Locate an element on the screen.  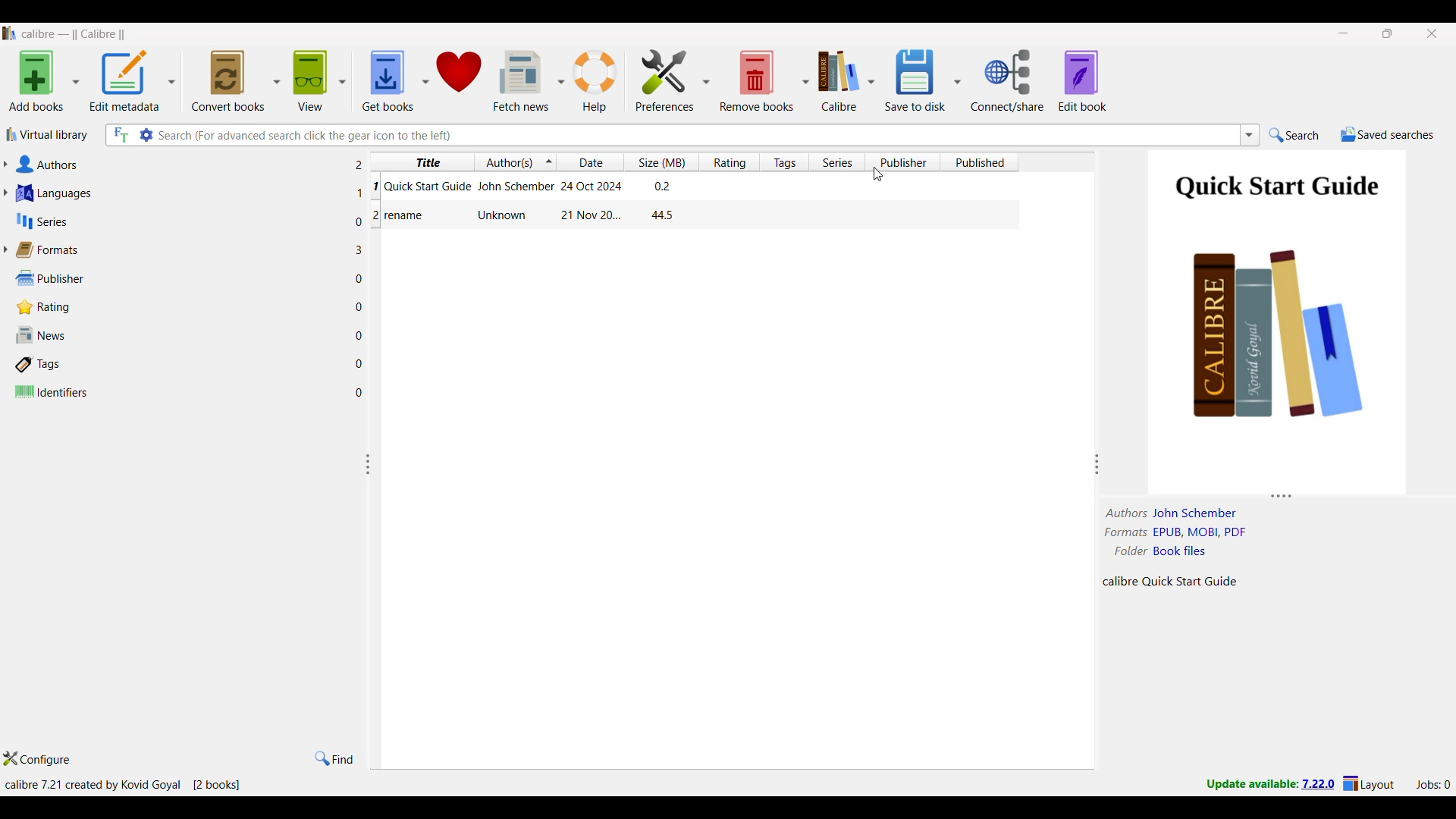
44.5 is located at coordinates (663, 215).